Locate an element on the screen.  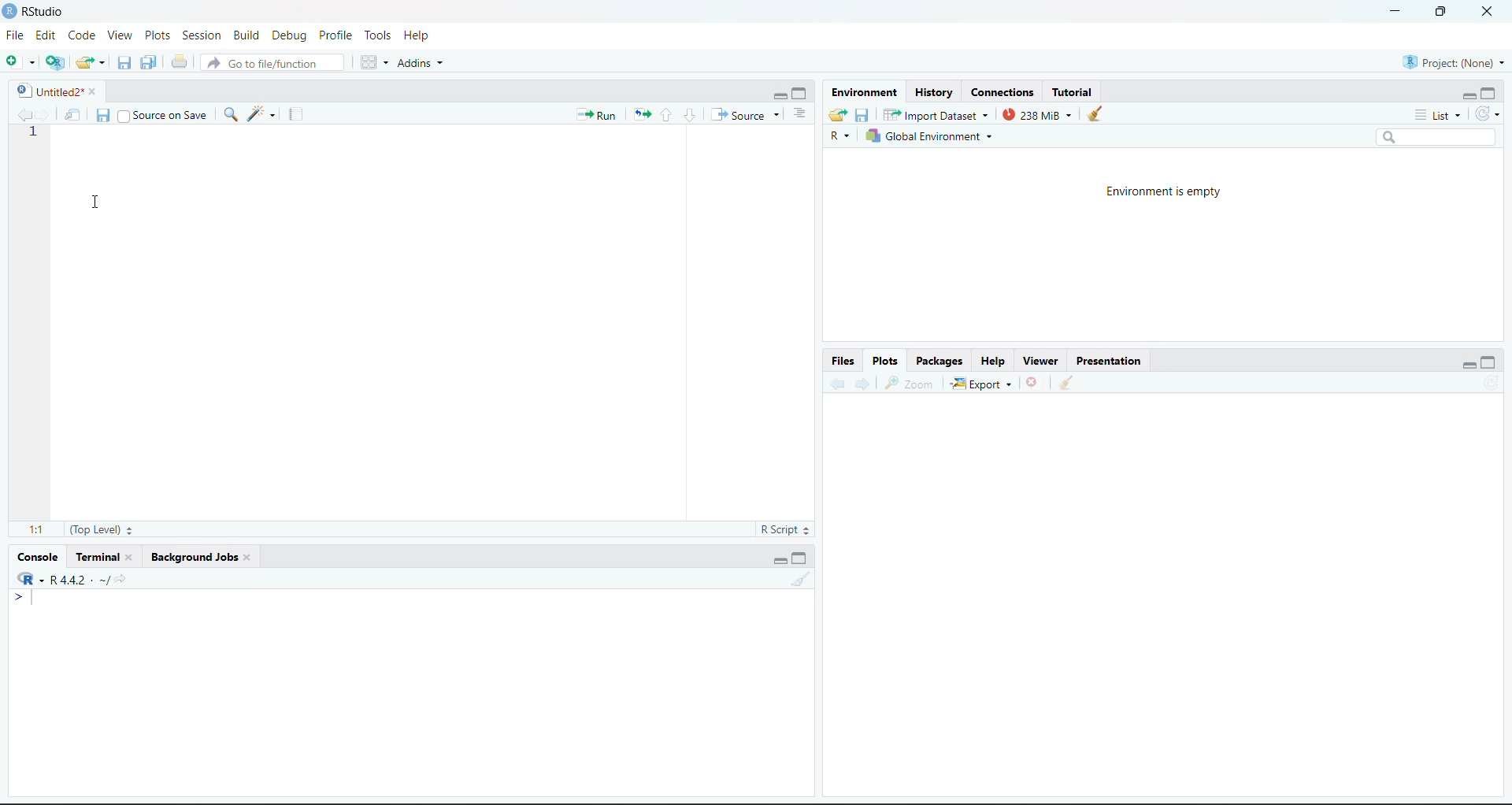
> is located at coordinates (24, 597).